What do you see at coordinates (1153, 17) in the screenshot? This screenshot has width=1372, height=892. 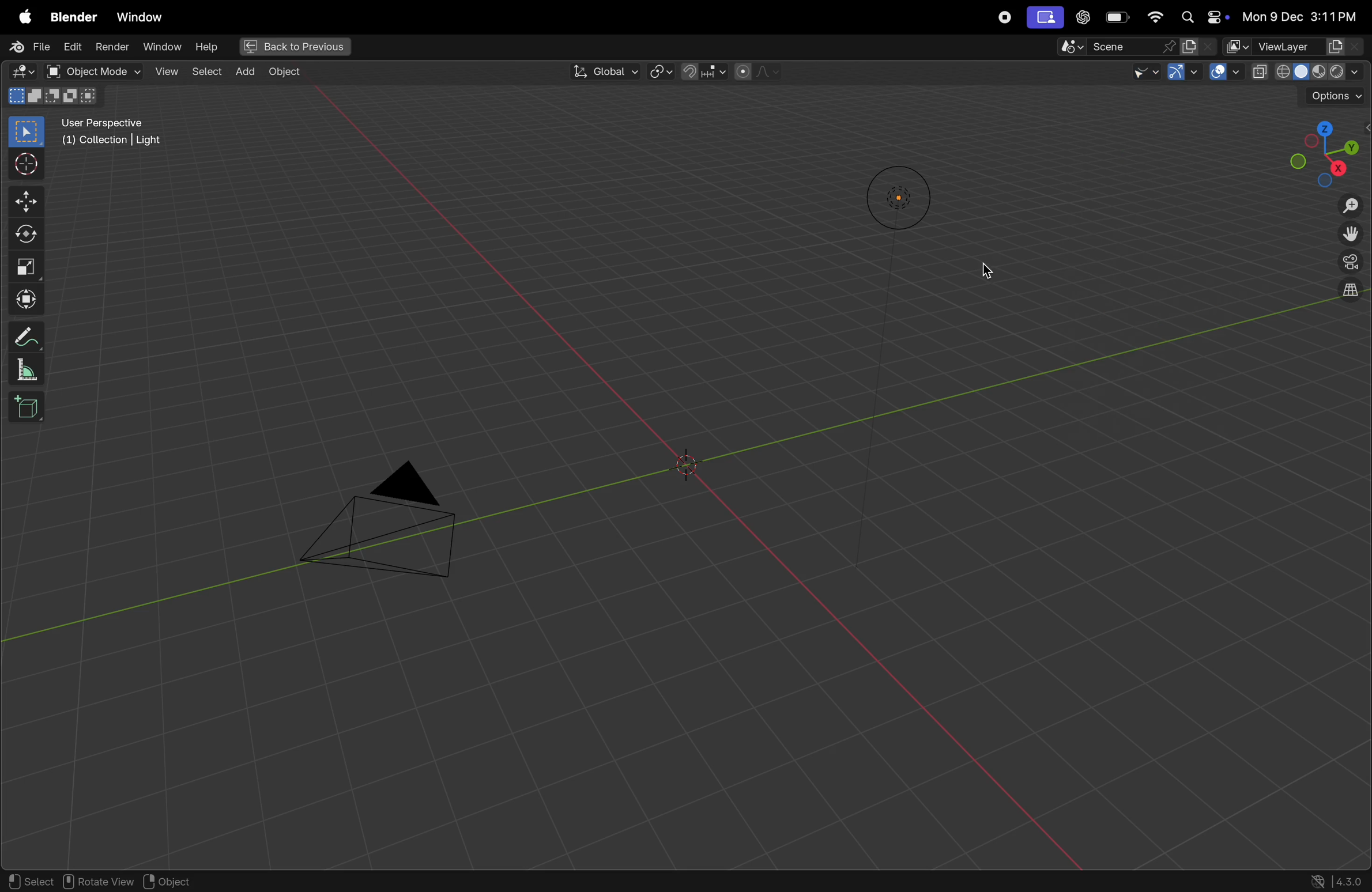 I see `wifi` at bounding box center [1153, 17].